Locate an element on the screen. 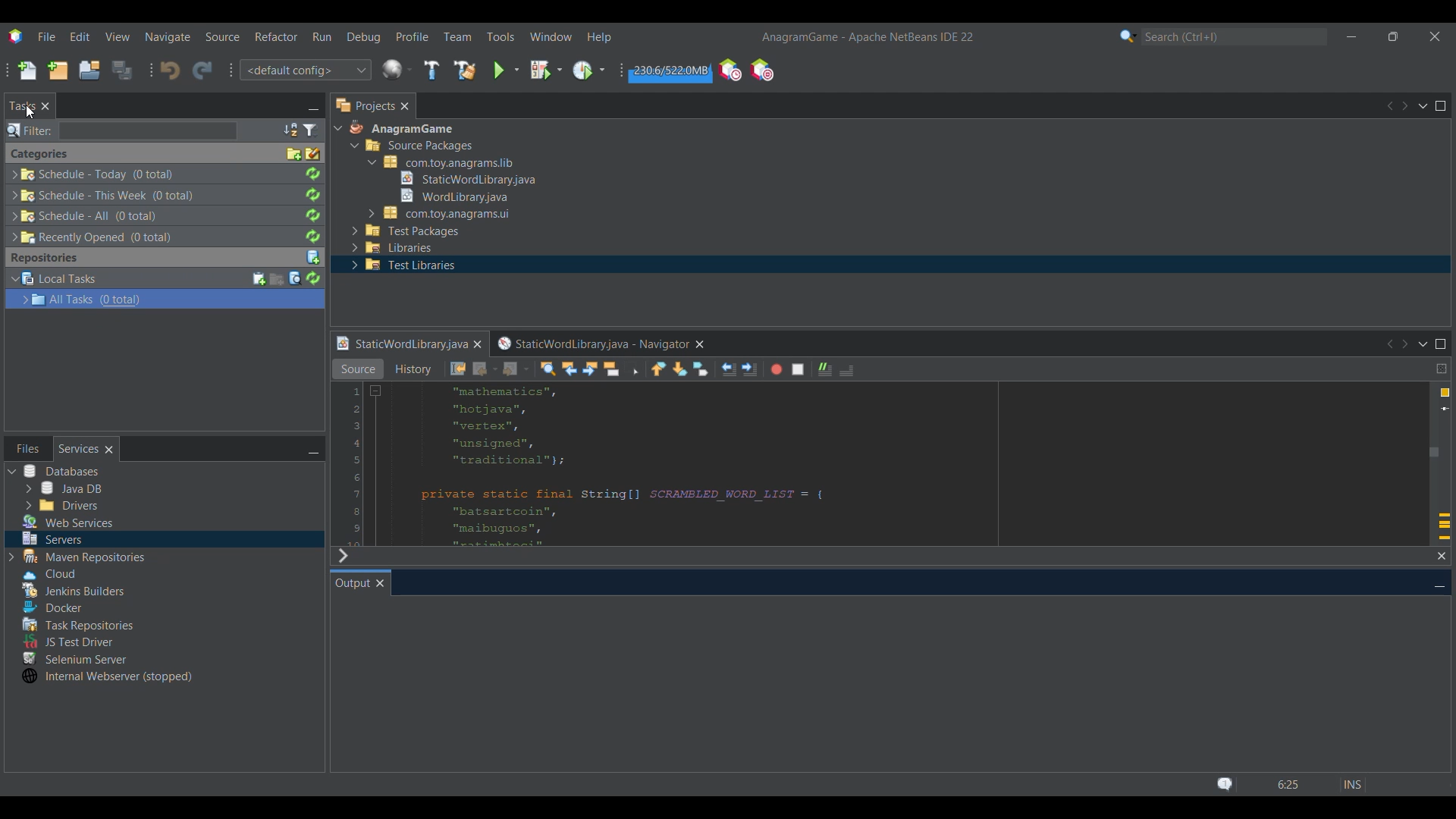 This screenshot has height=819, width=1456. Next is located at coordinates (342, 556).